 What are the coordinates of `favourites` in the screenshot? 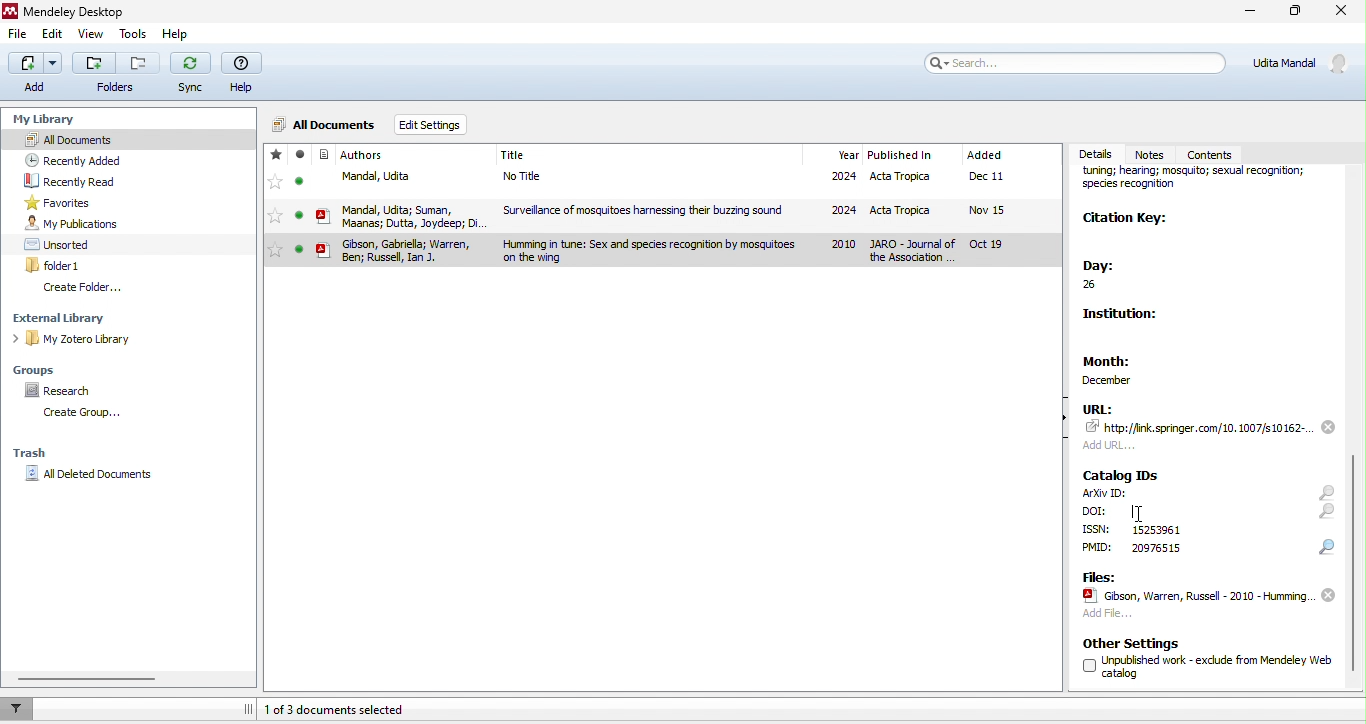 It's located at (275, 186).